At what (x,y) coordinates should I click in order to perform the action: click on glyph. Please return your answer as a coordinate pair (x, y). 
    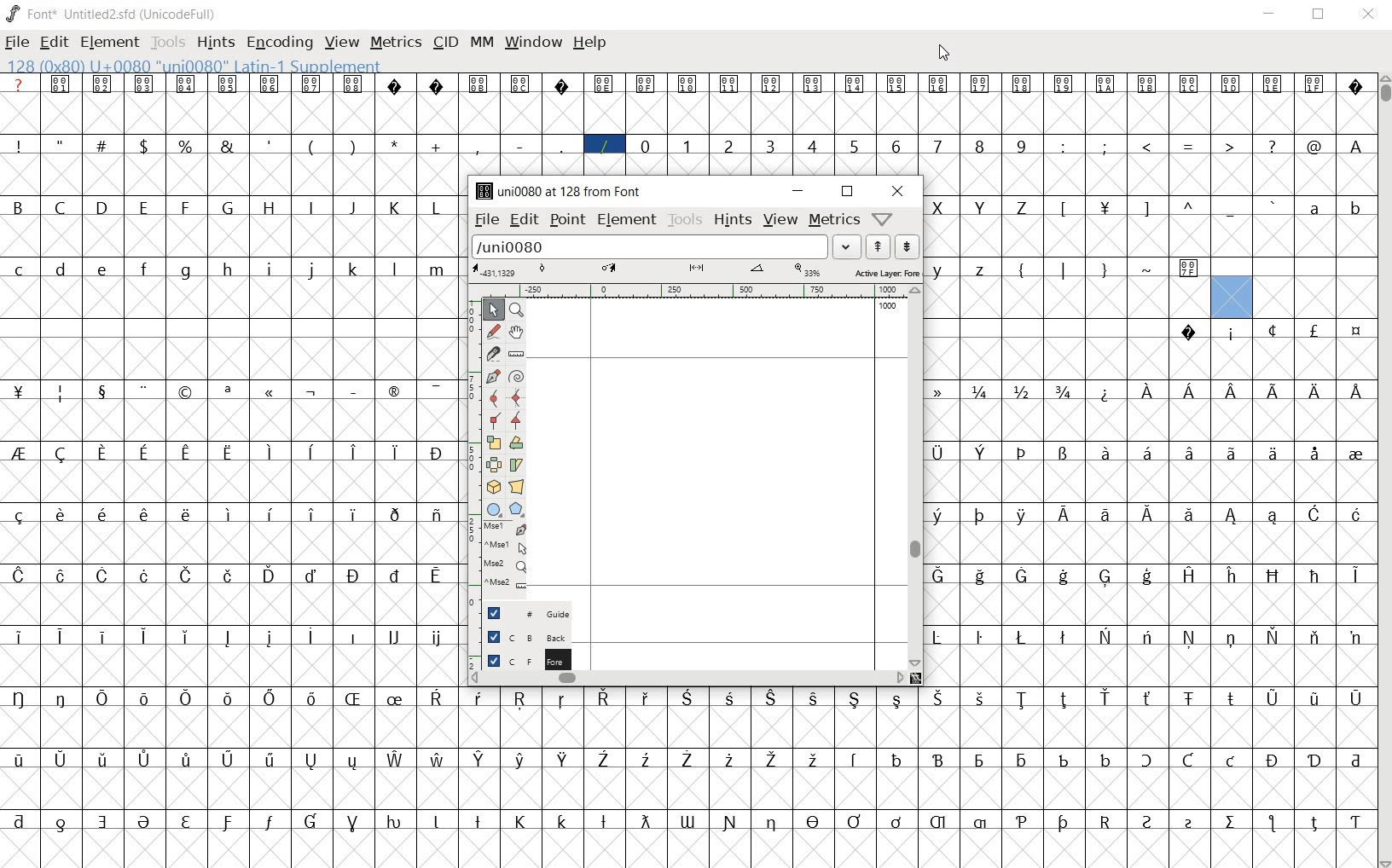
    Looking at the image, I should click on (730, 823).